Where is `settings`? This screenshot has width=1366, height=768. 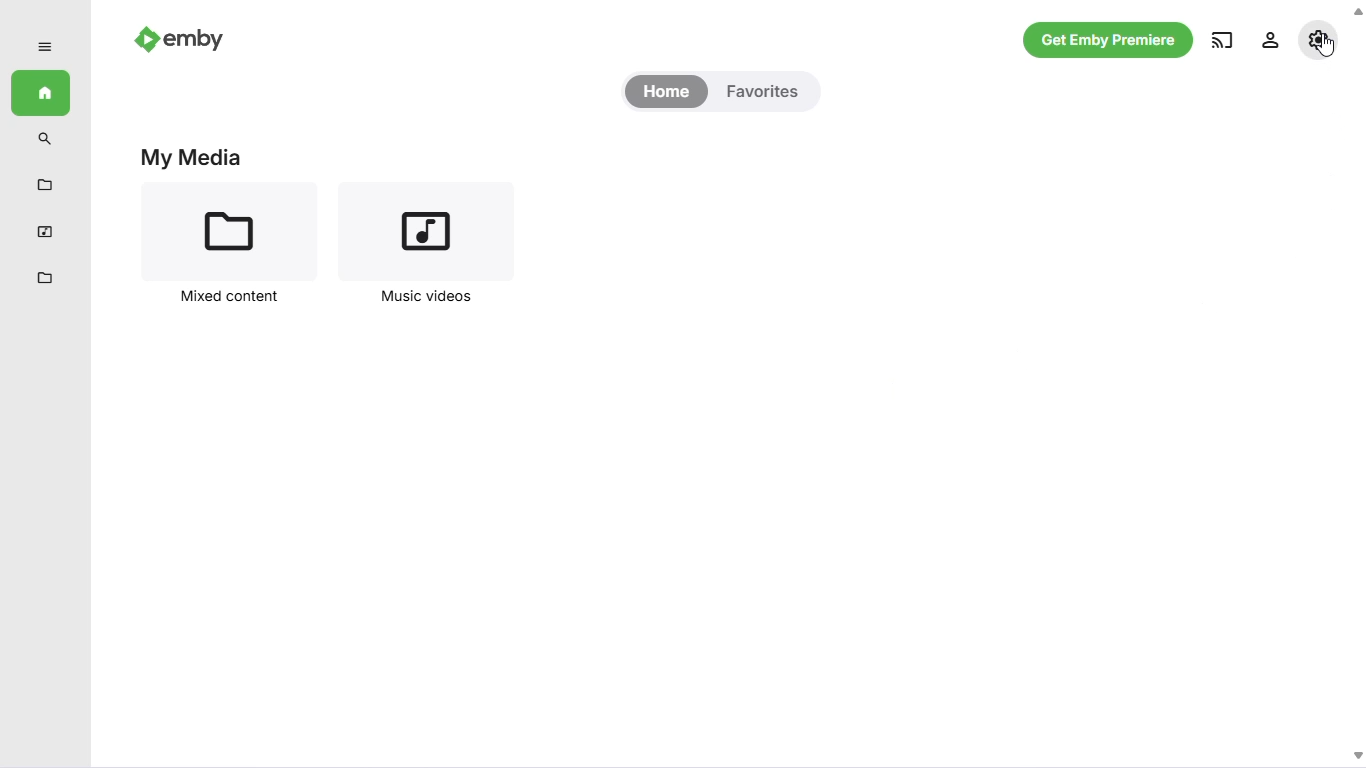
settings is located at coordinates (1270, 39).